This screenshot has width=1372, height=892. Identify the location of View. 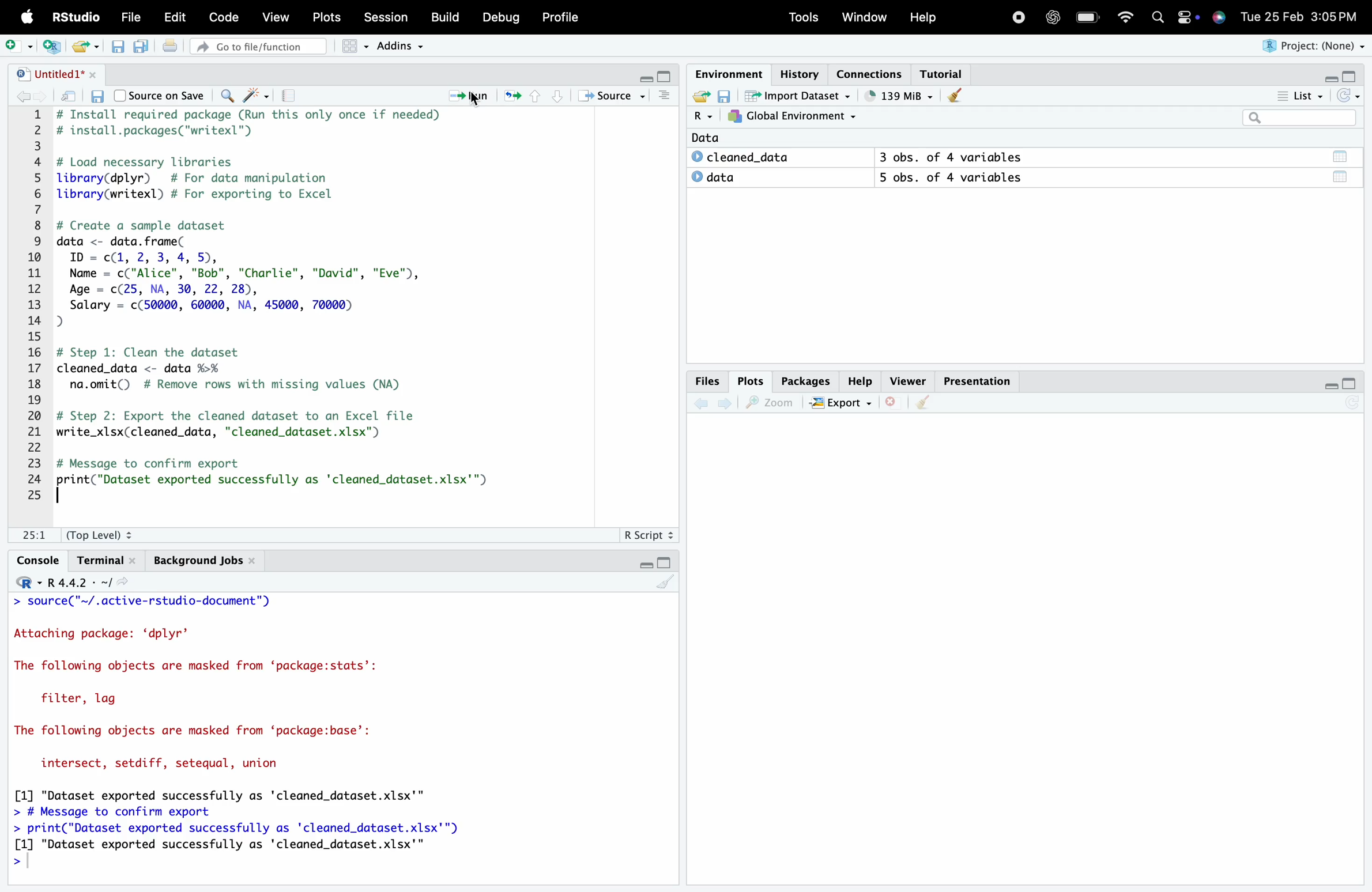
(278, 16).